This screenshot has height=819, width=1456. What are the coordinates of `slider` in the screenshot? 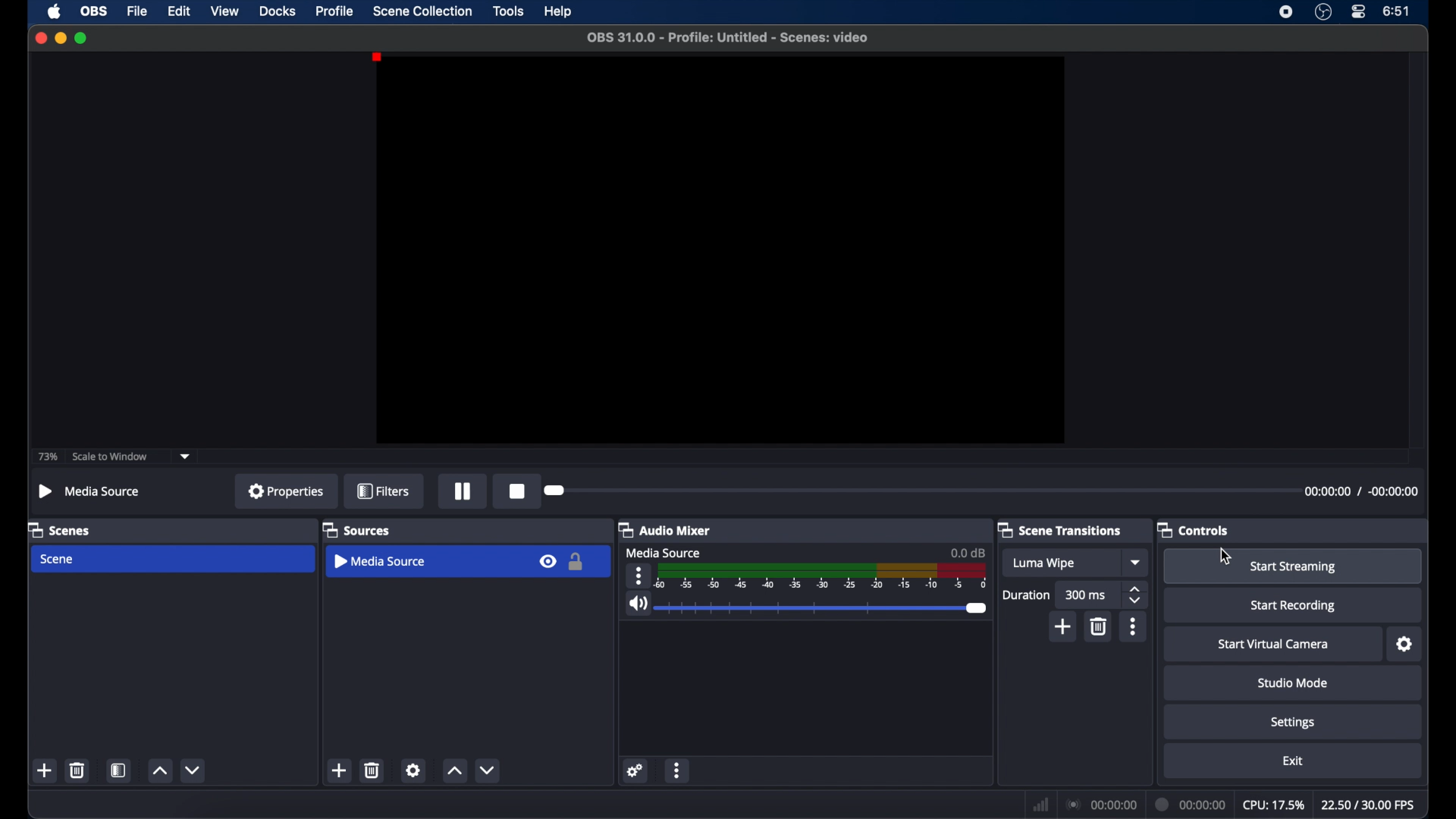 It's located at (557, 490).